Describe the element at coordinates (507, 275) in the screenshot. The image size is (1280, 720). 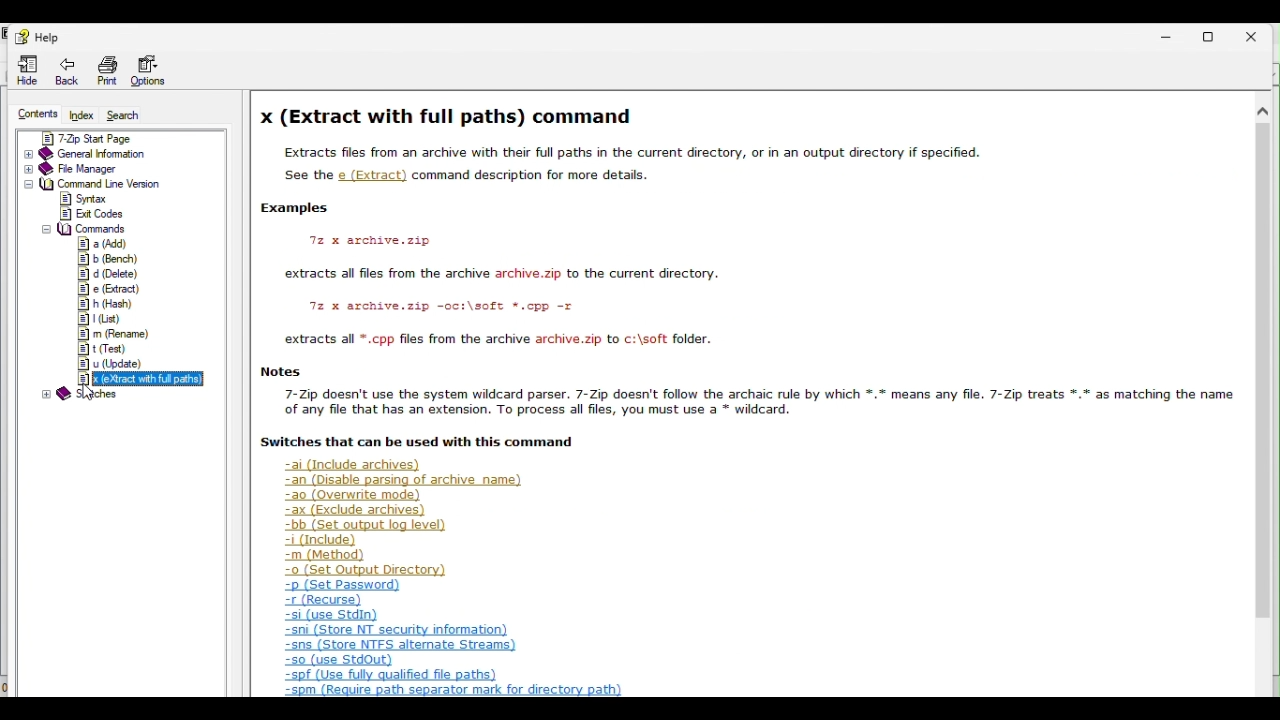
I see `‘extracts all files from the archive archive.zip to the current directory.` at that location.